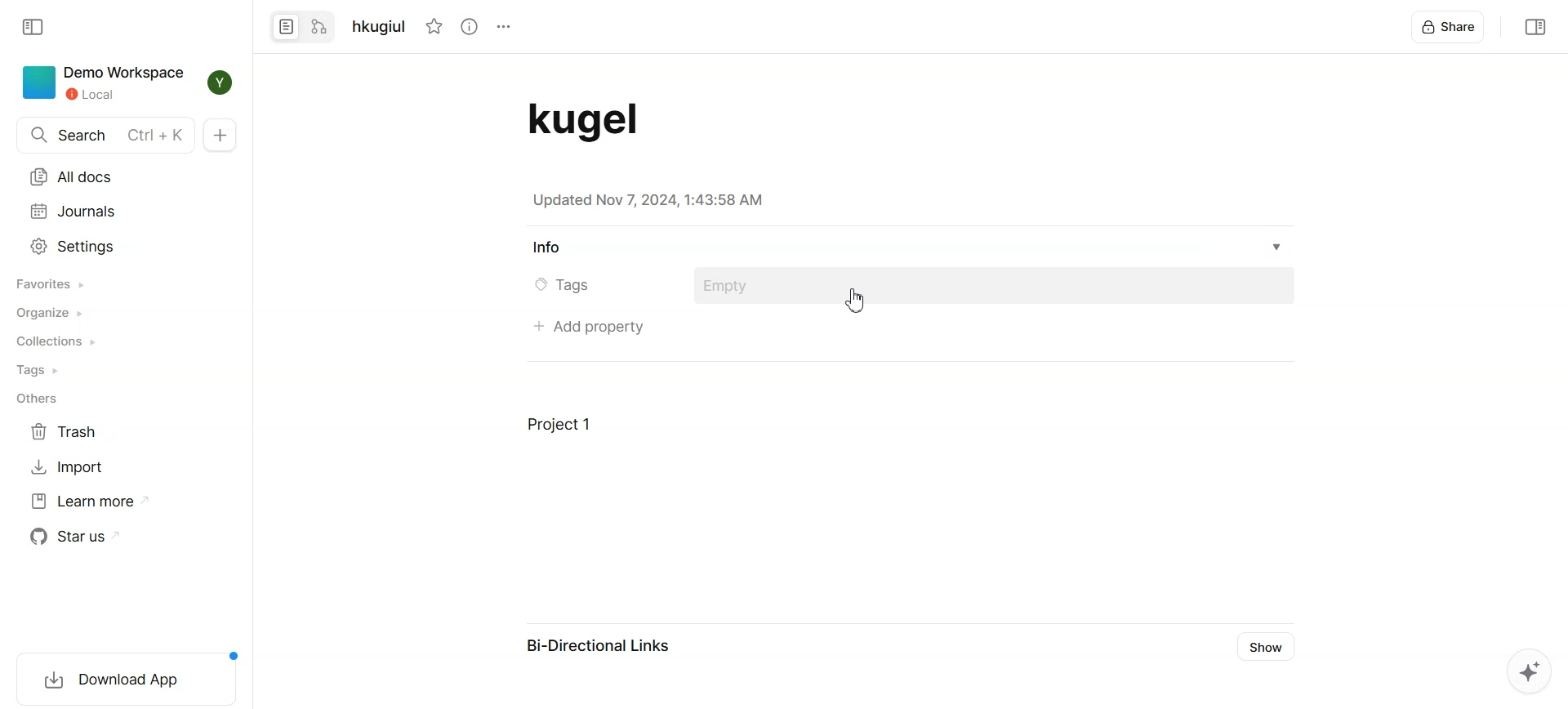 This screenshot has width=1568, height=709. I want to click on Empty, so click(737, 285).